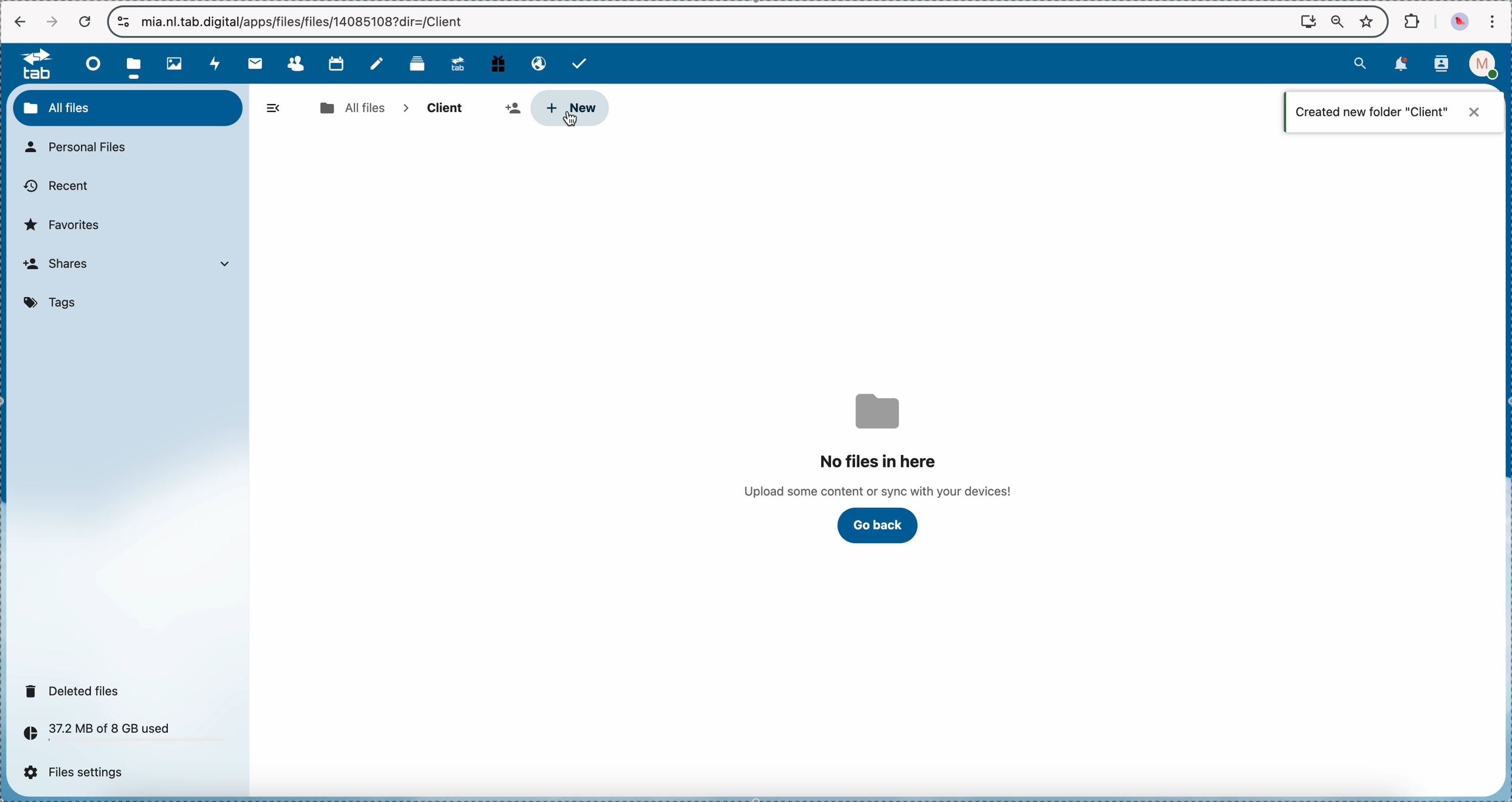 The width and height of the screenshot is (1512, 802). What do you see at coordinates (55, 187) in the screenshot?
I see `recent` at bounding box center [55, 187].